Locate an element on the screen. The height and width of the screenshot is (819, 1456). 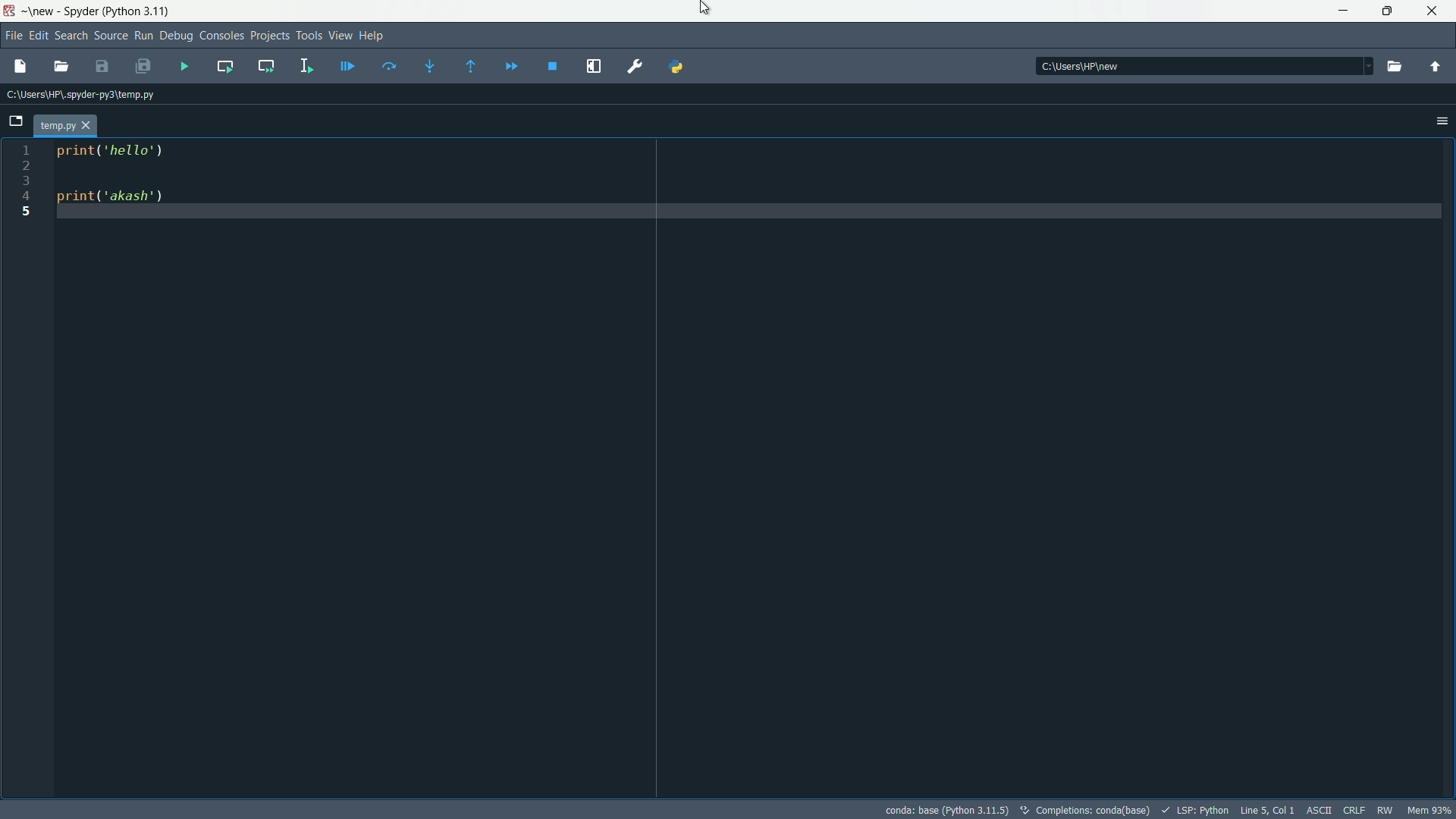
browse directory is located at coordinates (1395, 67).